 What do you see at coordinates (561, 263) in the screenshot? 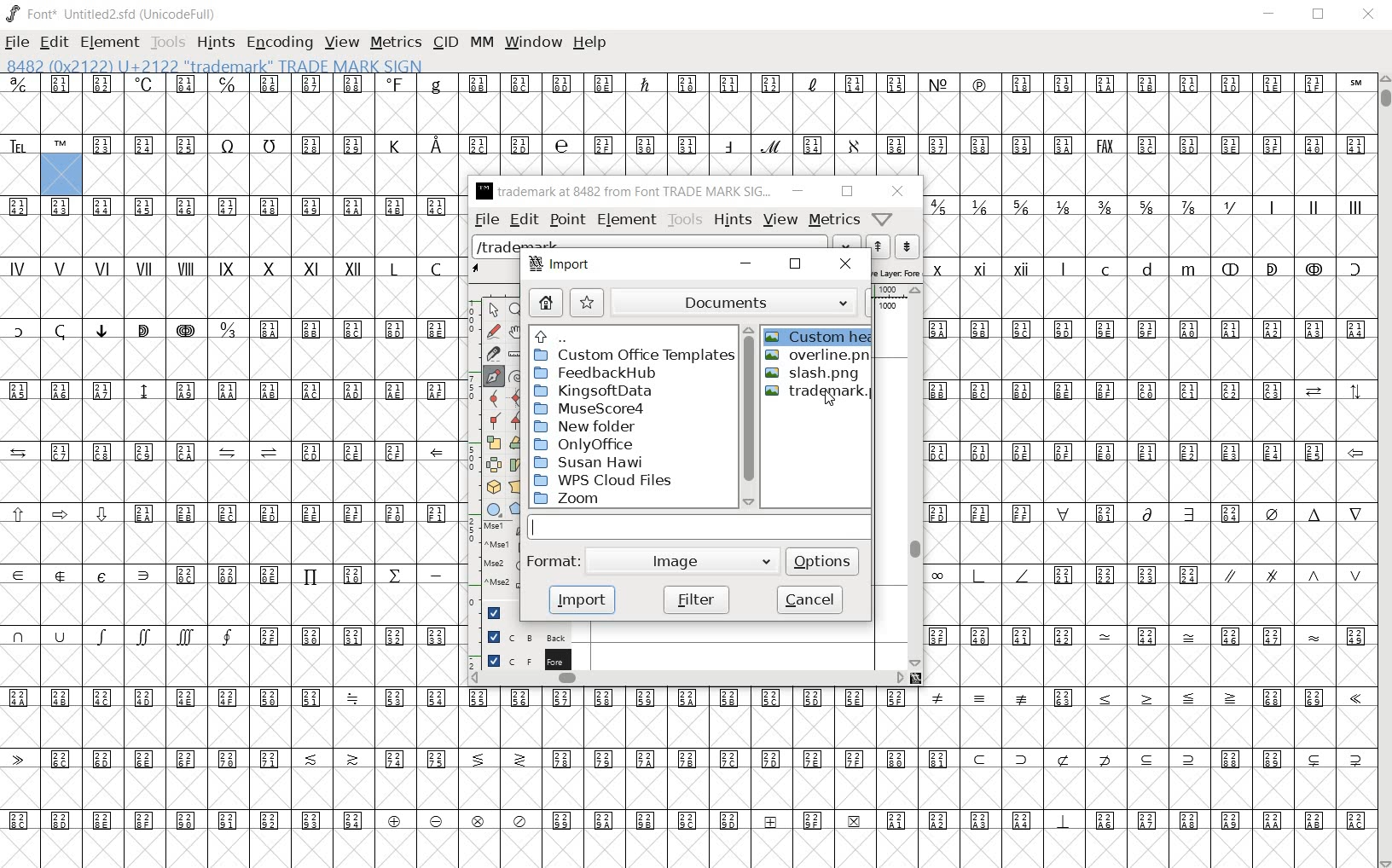
I see `import` at bounding box center [561, 263].